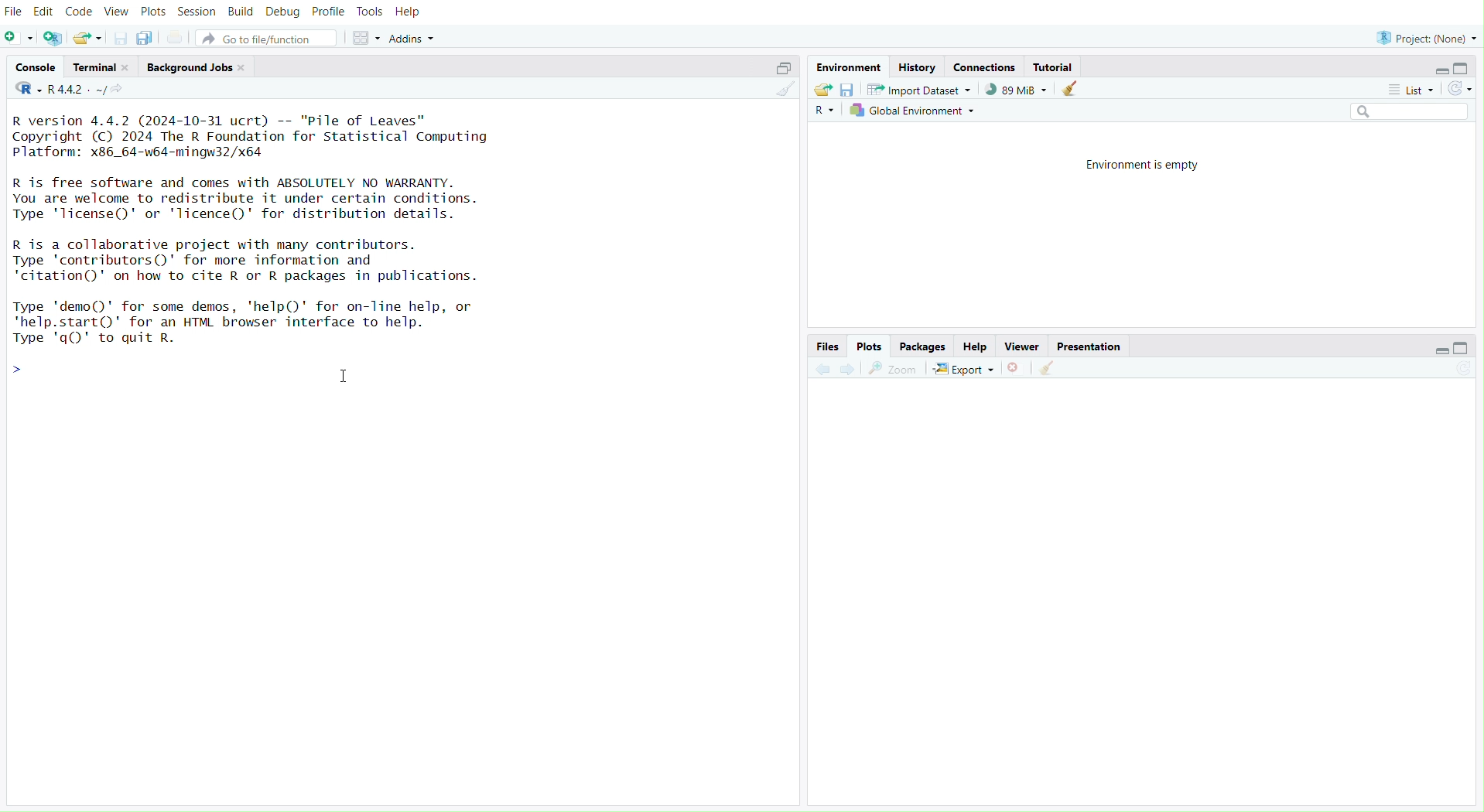 This screenshot has width=1484, height=812. I want to click on Clear Console (Ctrl + L), so click(784, 94).